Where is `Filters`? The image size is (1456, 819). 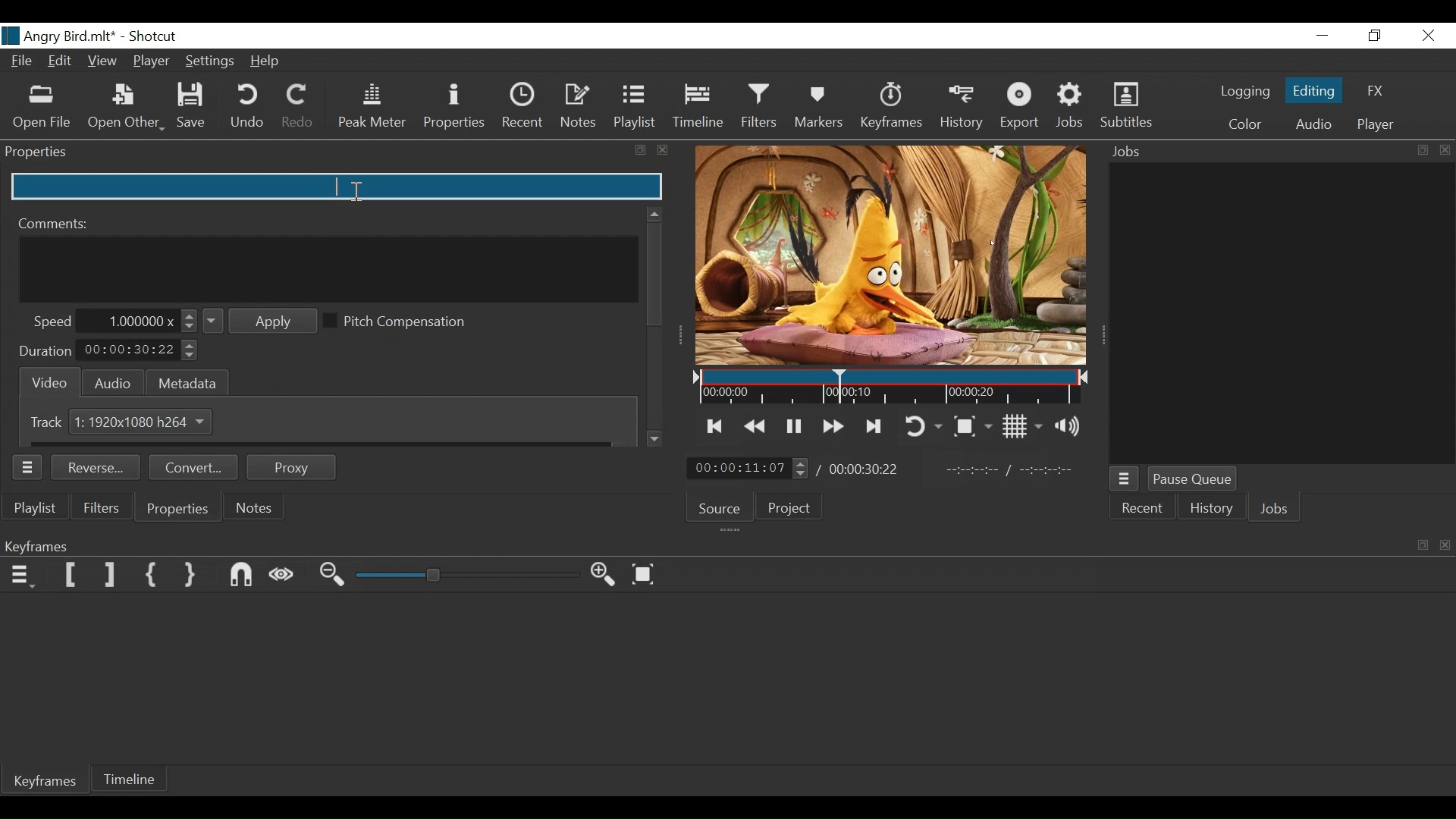
Filters is located at coordinates (761, 108).